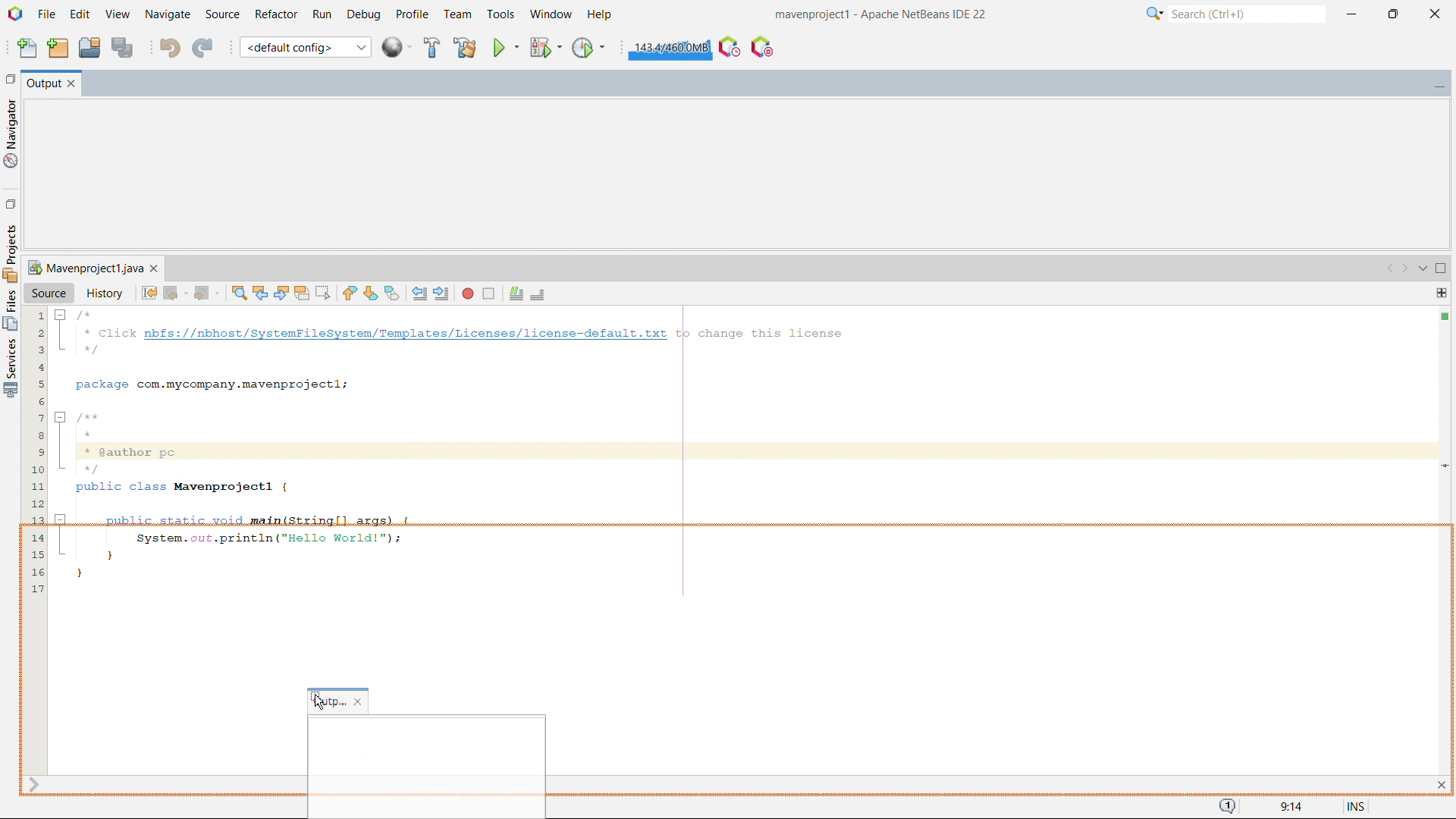 The height and width of the screenshot is (819, 1456). I want to click on UTP.., so click(329, 702).